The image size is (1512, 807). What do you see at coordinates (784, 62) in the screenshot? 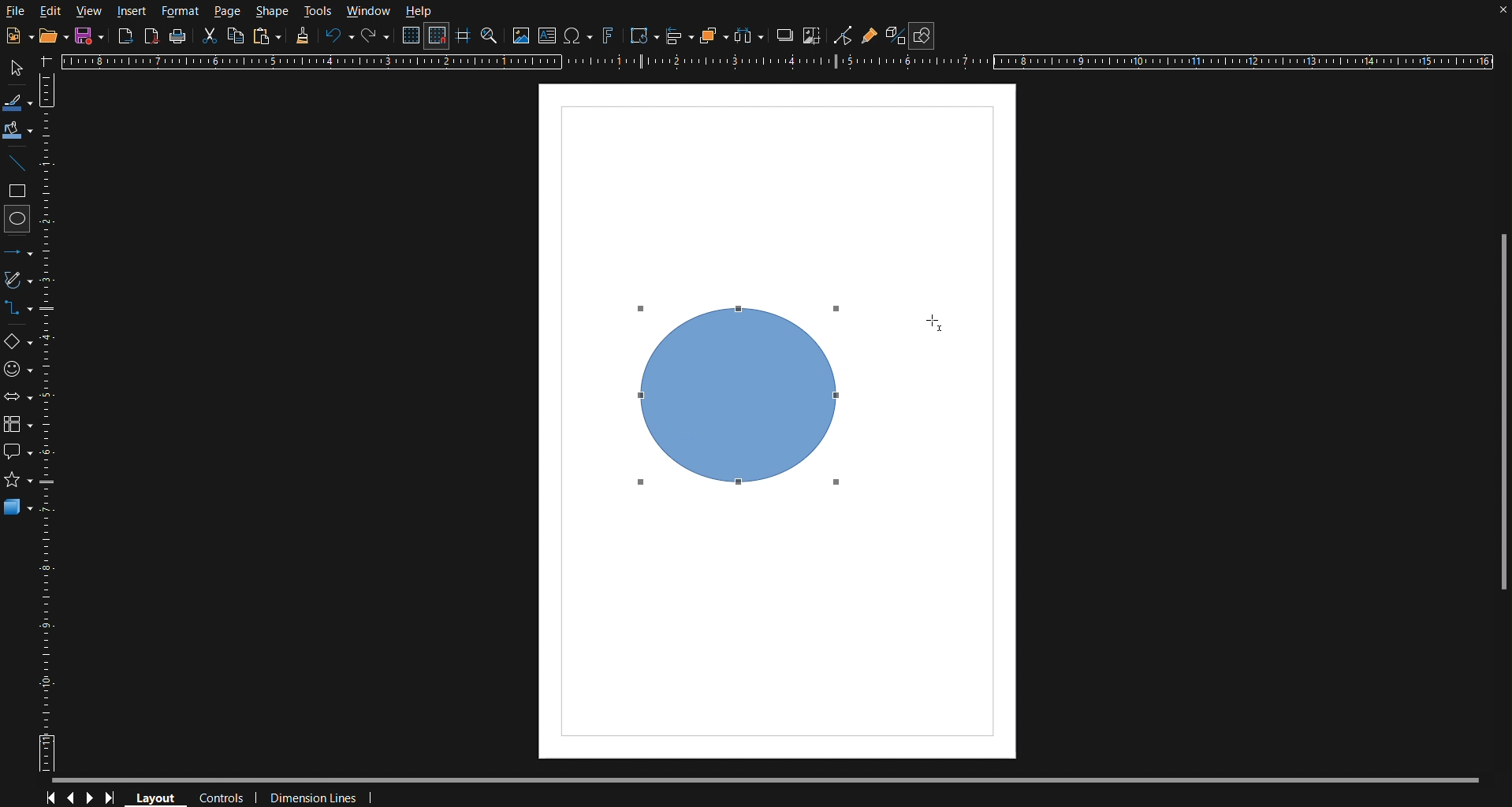
I see `Horizontal Ruler` at bounding box center [784, 62].